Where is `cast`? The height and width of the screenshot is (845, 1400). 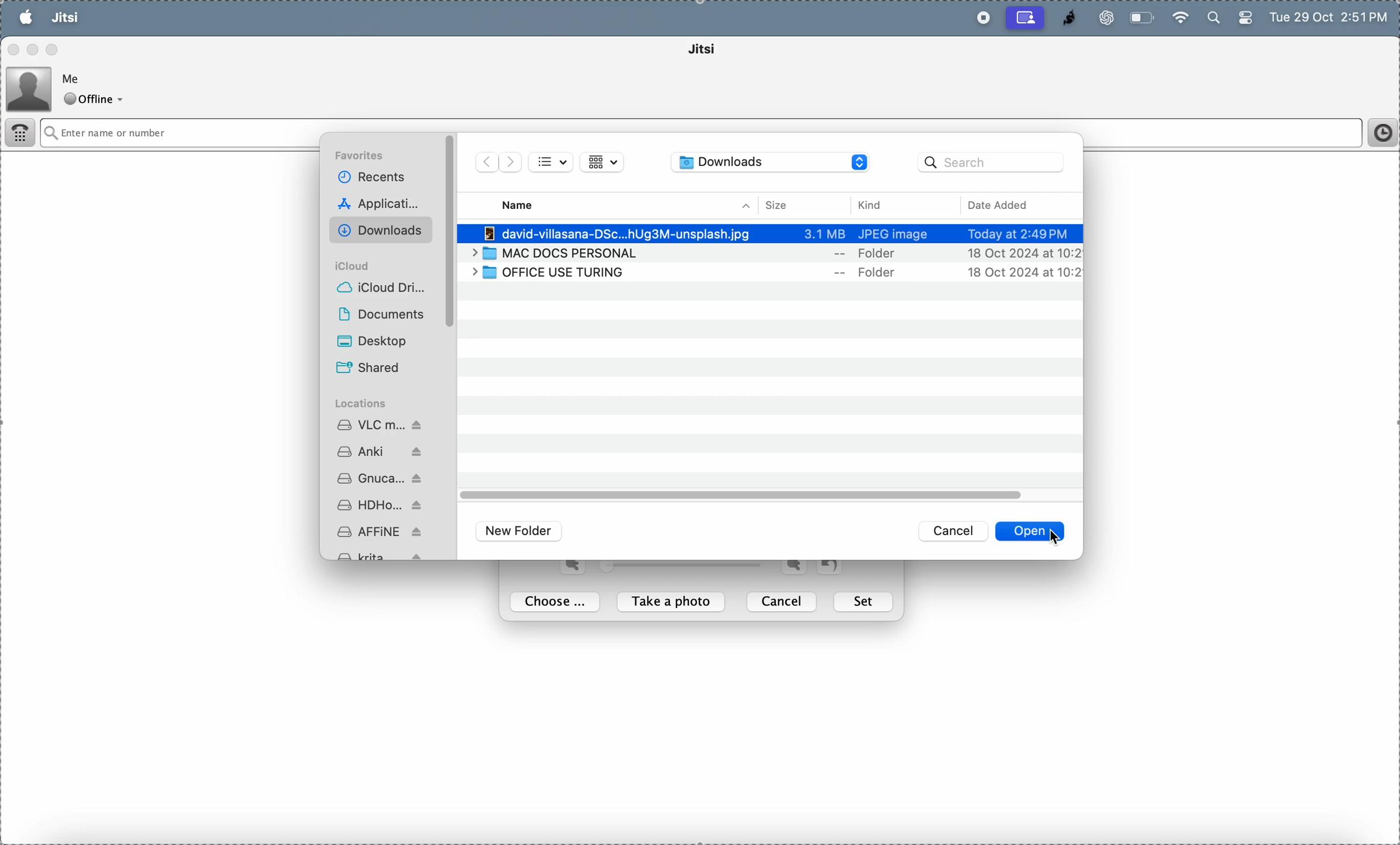 cast is located at coordinates (1026, 18).